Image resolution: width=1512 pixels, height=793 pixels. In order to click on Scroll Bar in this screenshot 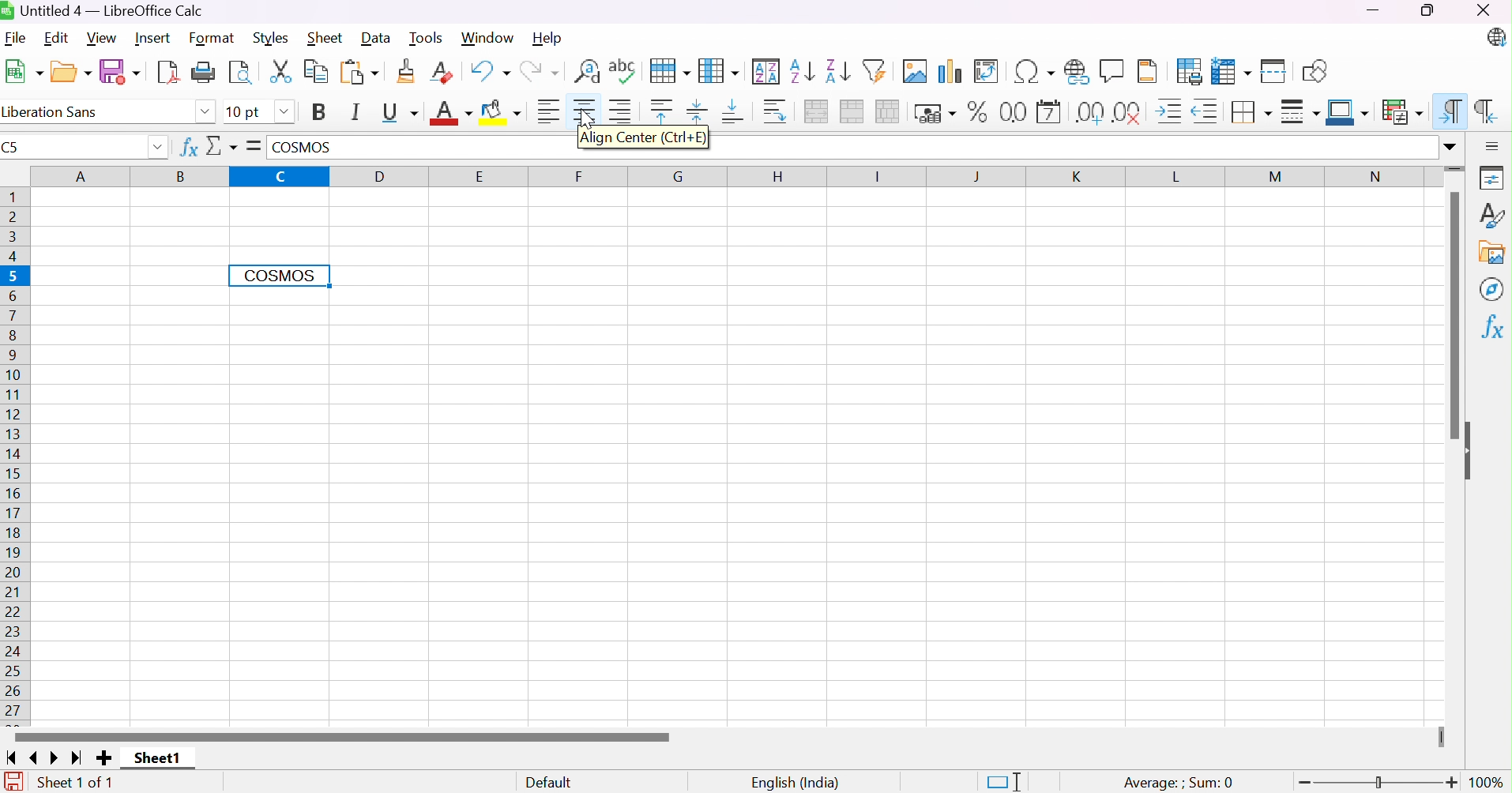, I will do `click(1448, 316)`.